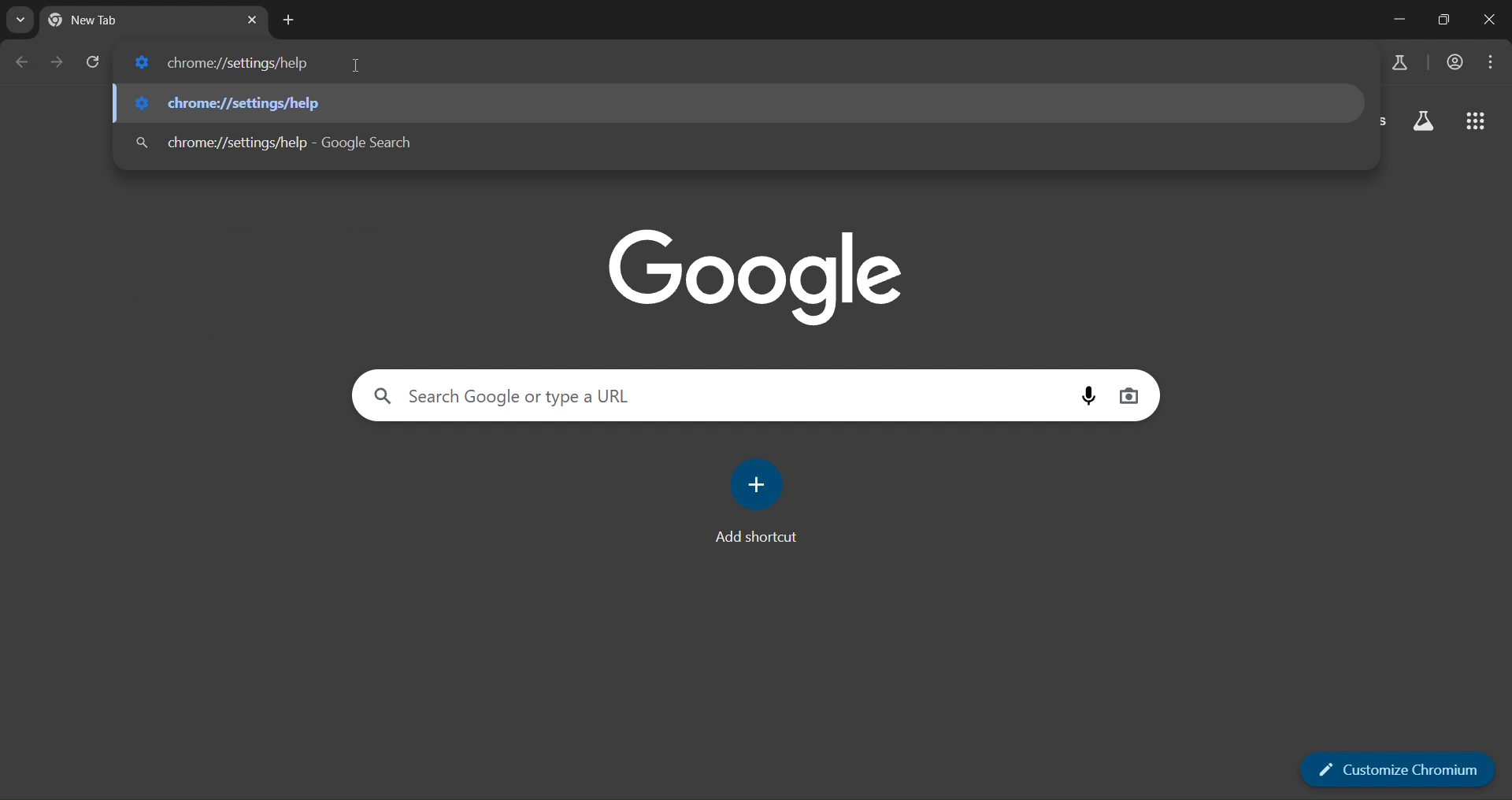 The image size is (1512, 800). What do you see at coordinates (356, 68) in the screenshot?
I see `cursor` at bounding box center [356, 68].